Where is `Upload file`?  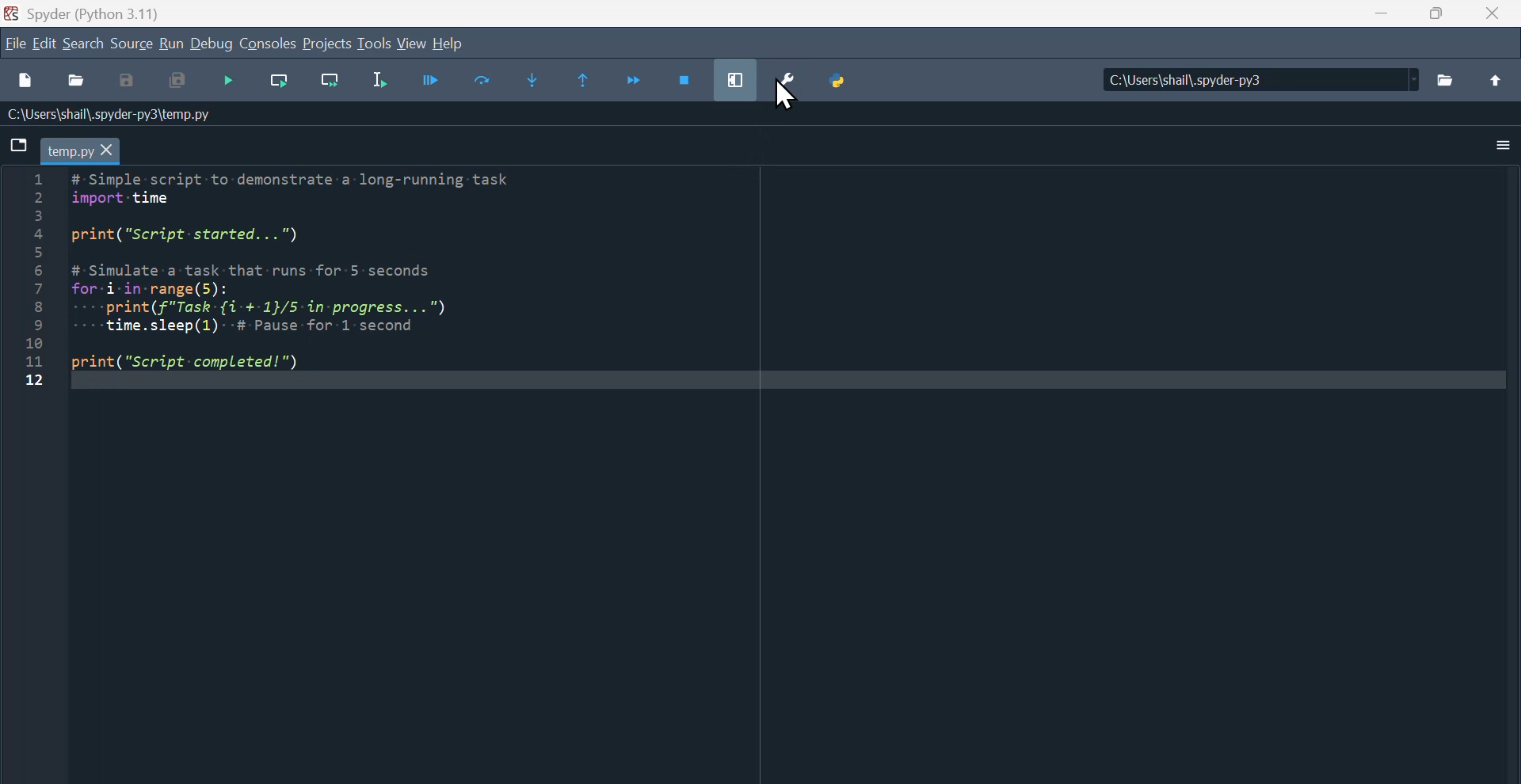
Upload file is located at coordinates (1501, 79).